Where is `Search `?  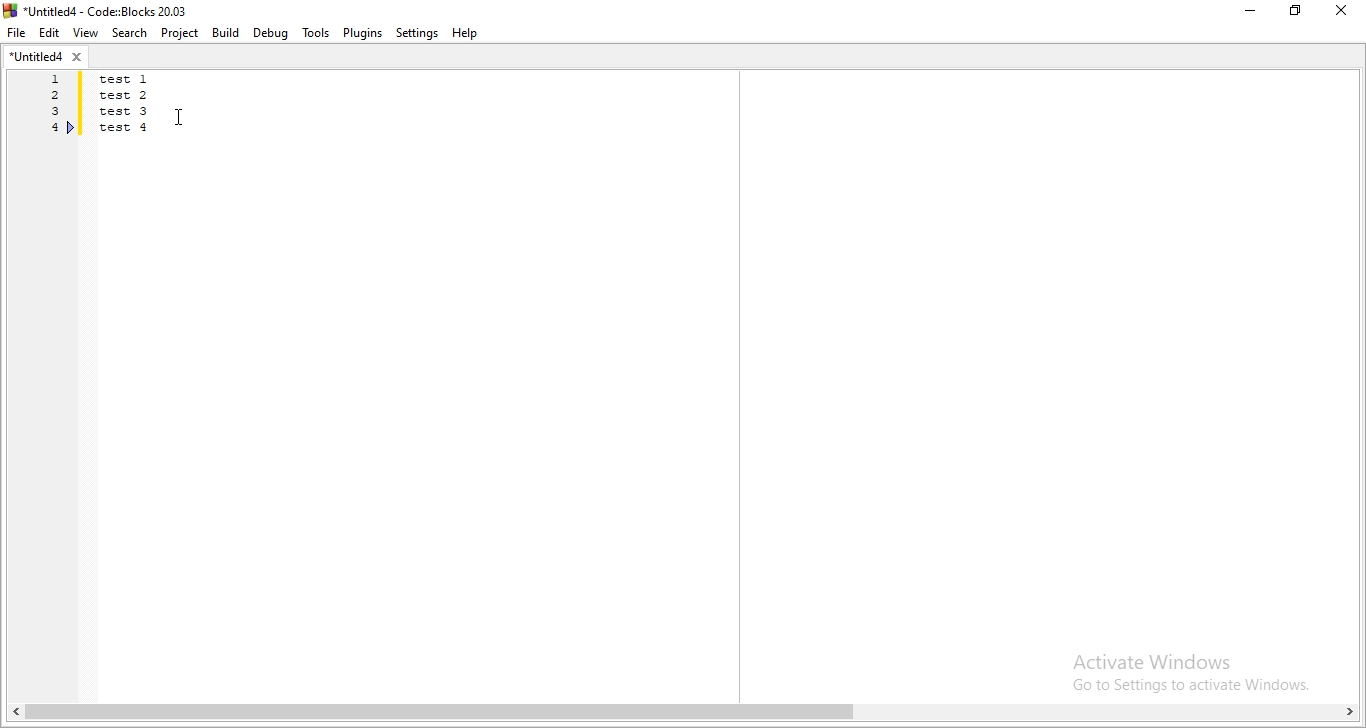 Search  is located at coordinates (126, 33).